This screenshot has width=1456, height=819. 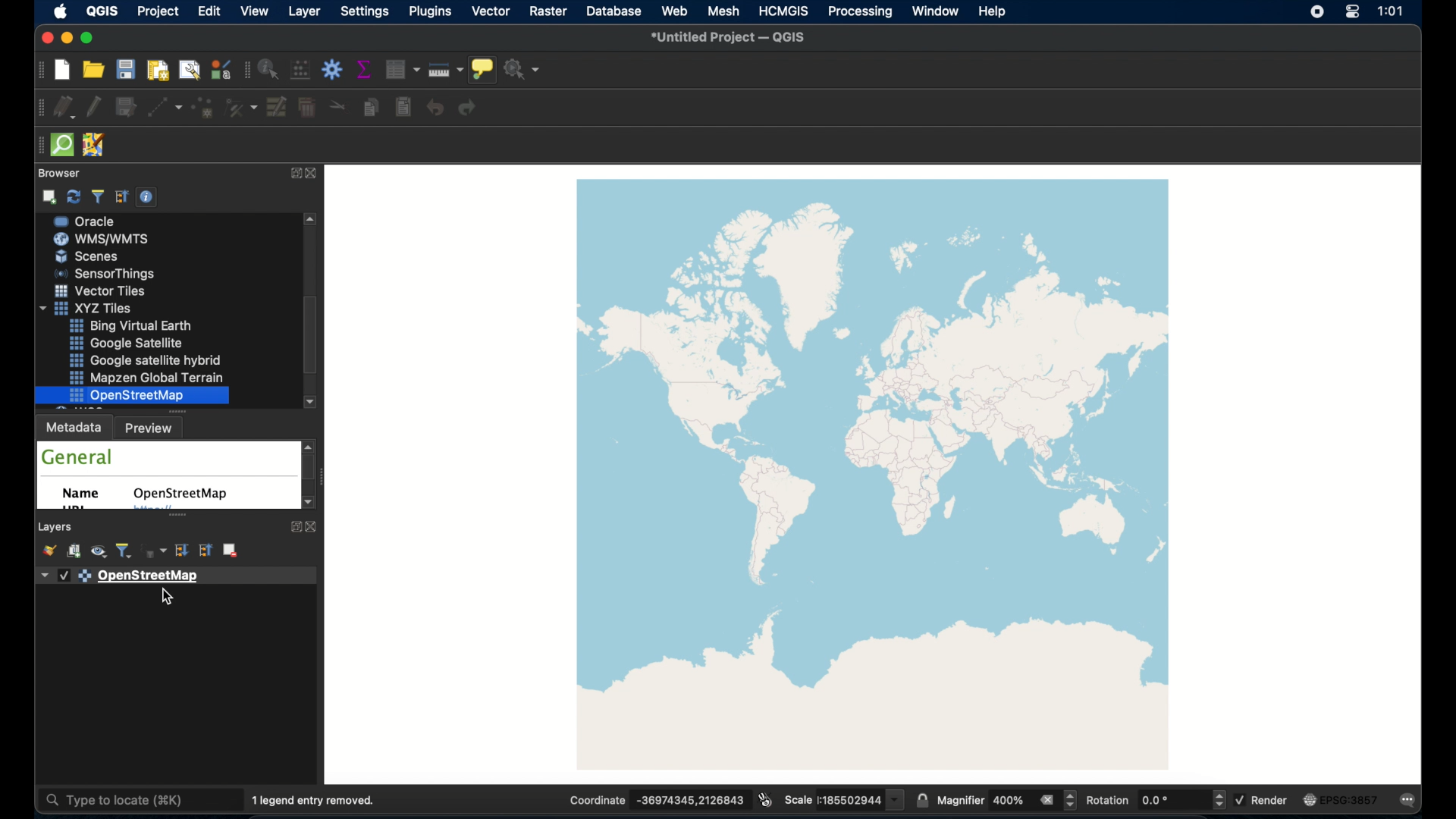 What do you see at coordinates (155, 551) in the screenshot?
I see `filter legend by expression ` at bounding box center [155, 551].